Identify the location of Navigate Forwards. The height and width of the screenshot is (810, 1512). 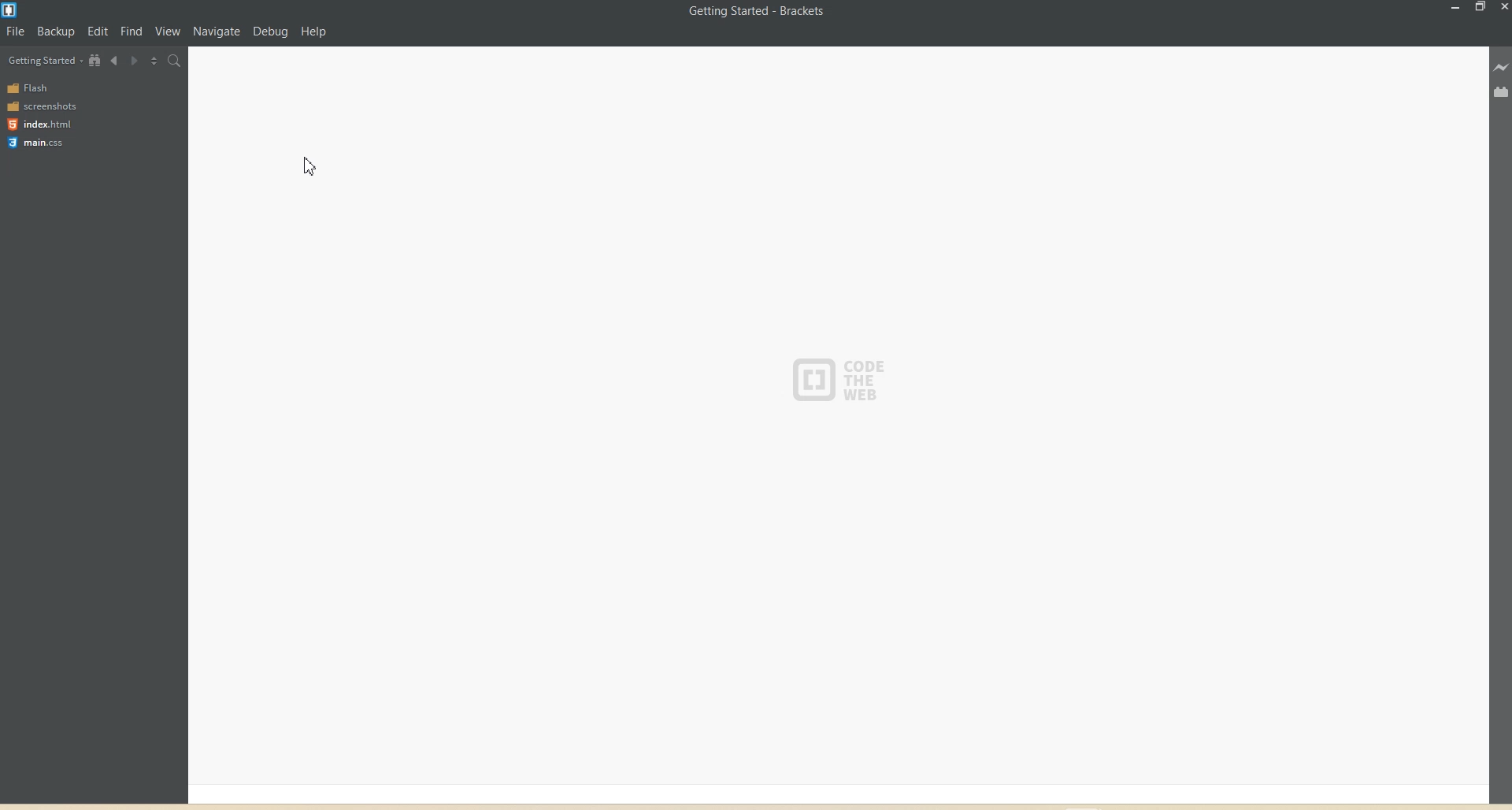
(134, 60).